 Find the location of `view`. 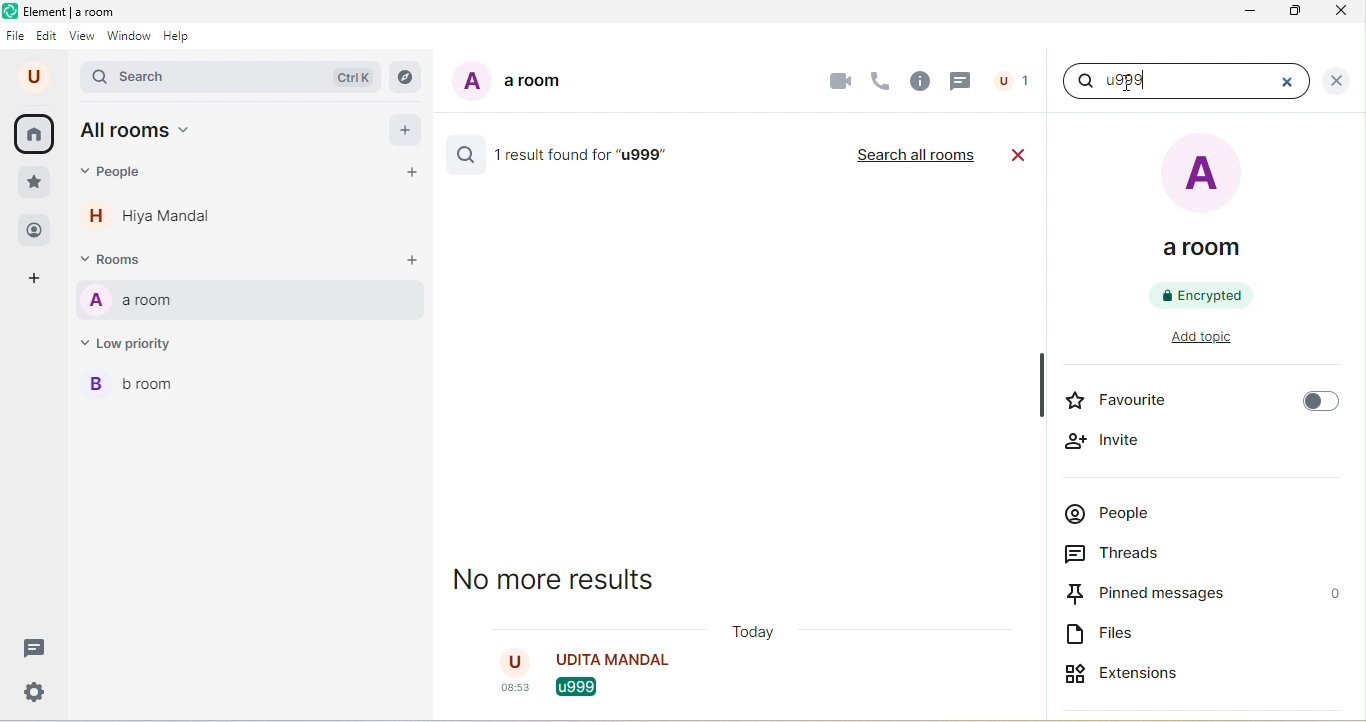

view is located at coordinates (82, 39).